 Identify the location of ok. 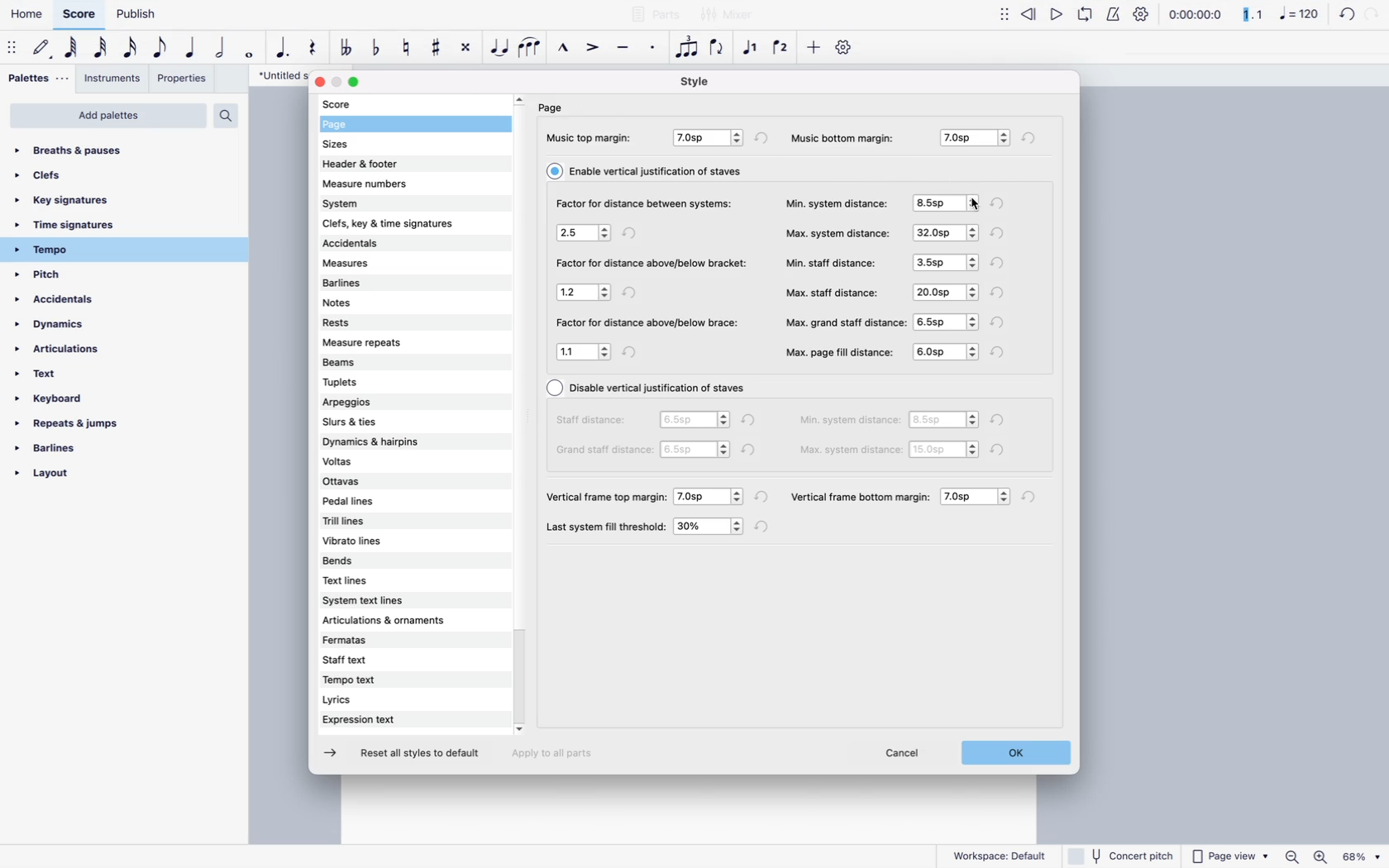
(1013, 756).